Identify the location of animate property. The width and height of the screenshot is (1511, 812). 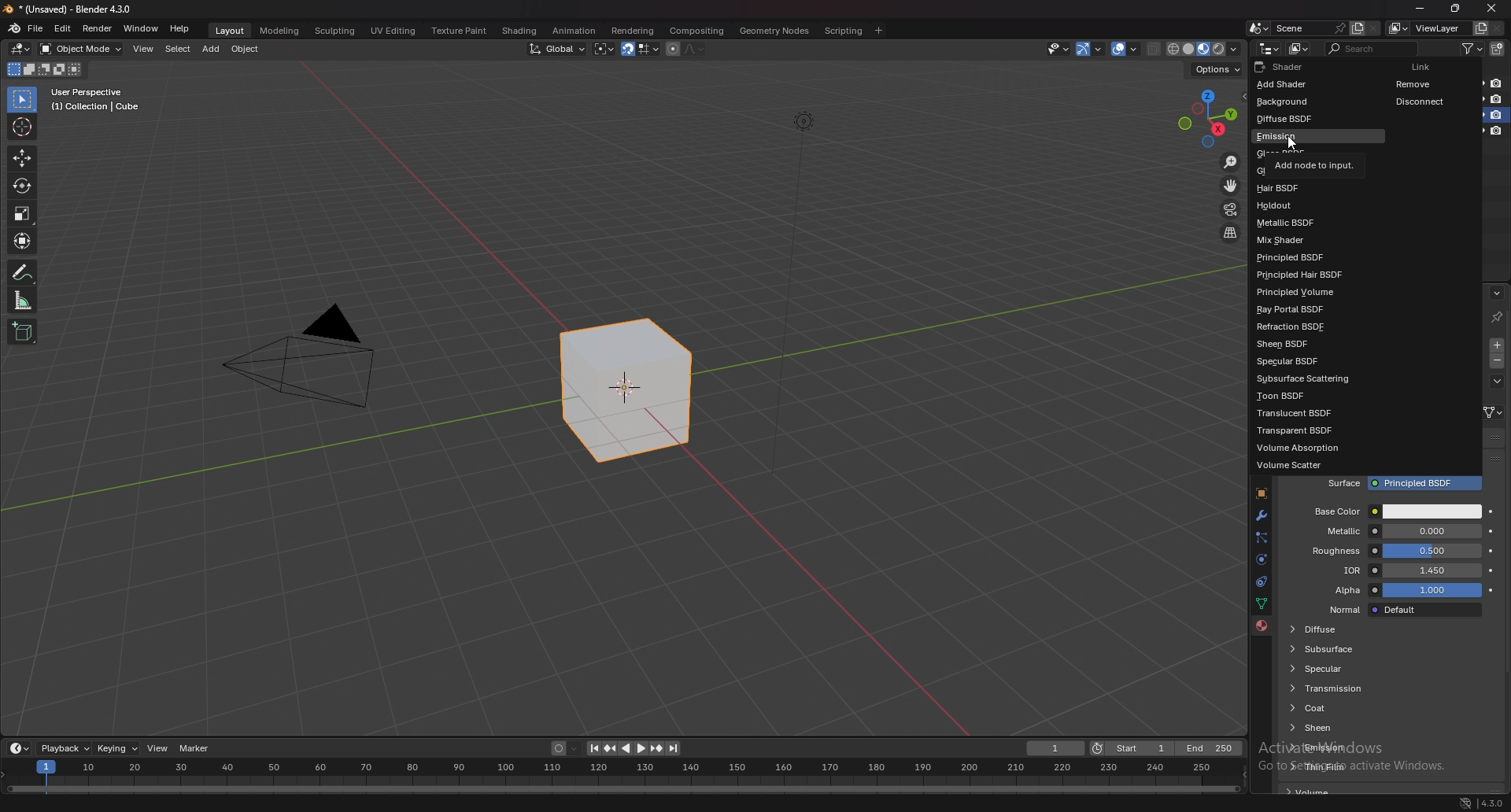
(1490, 570).